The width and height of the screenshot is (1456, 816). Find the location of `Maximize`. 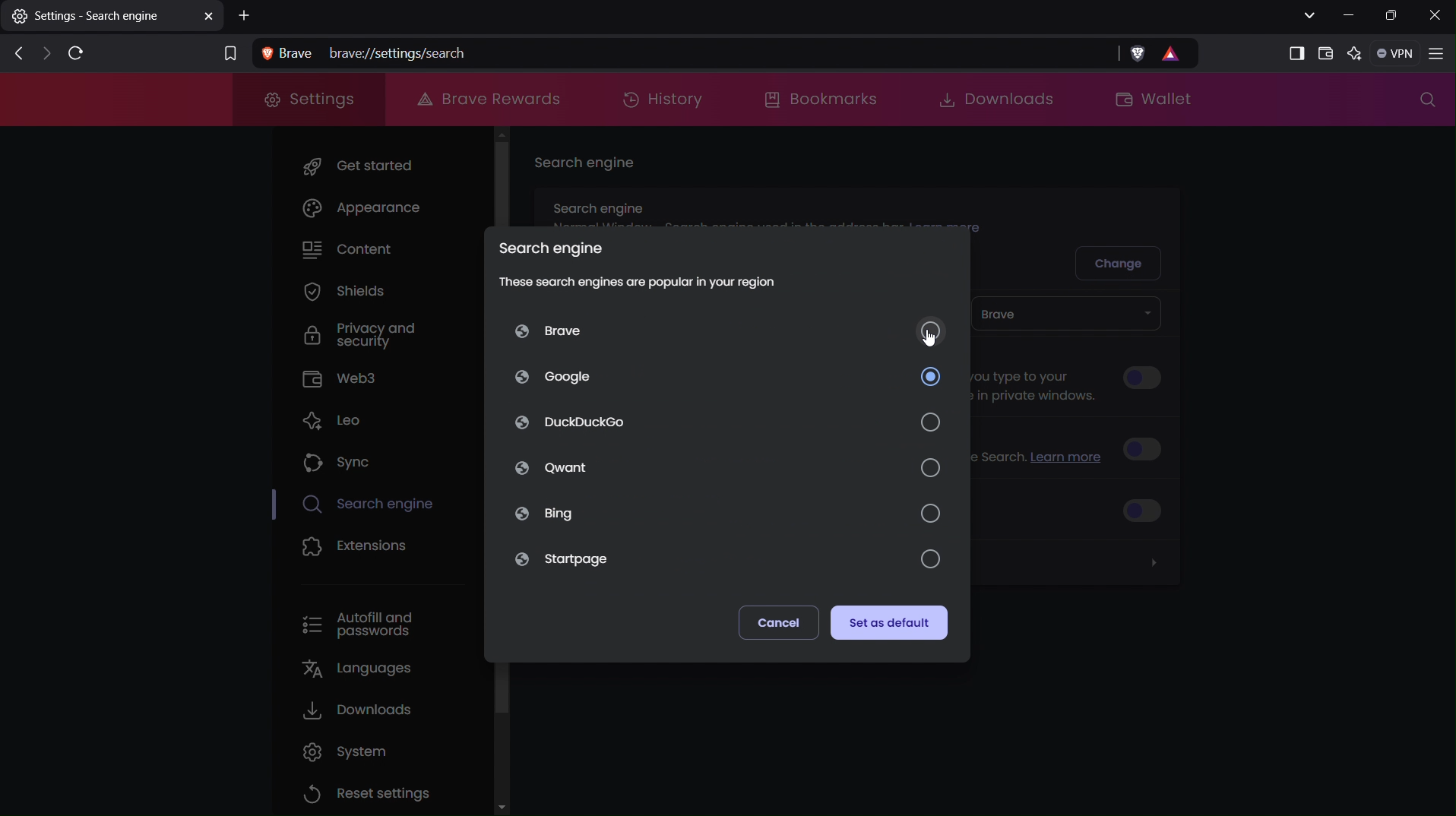

Maximize is located at coordinates (1393, 16).